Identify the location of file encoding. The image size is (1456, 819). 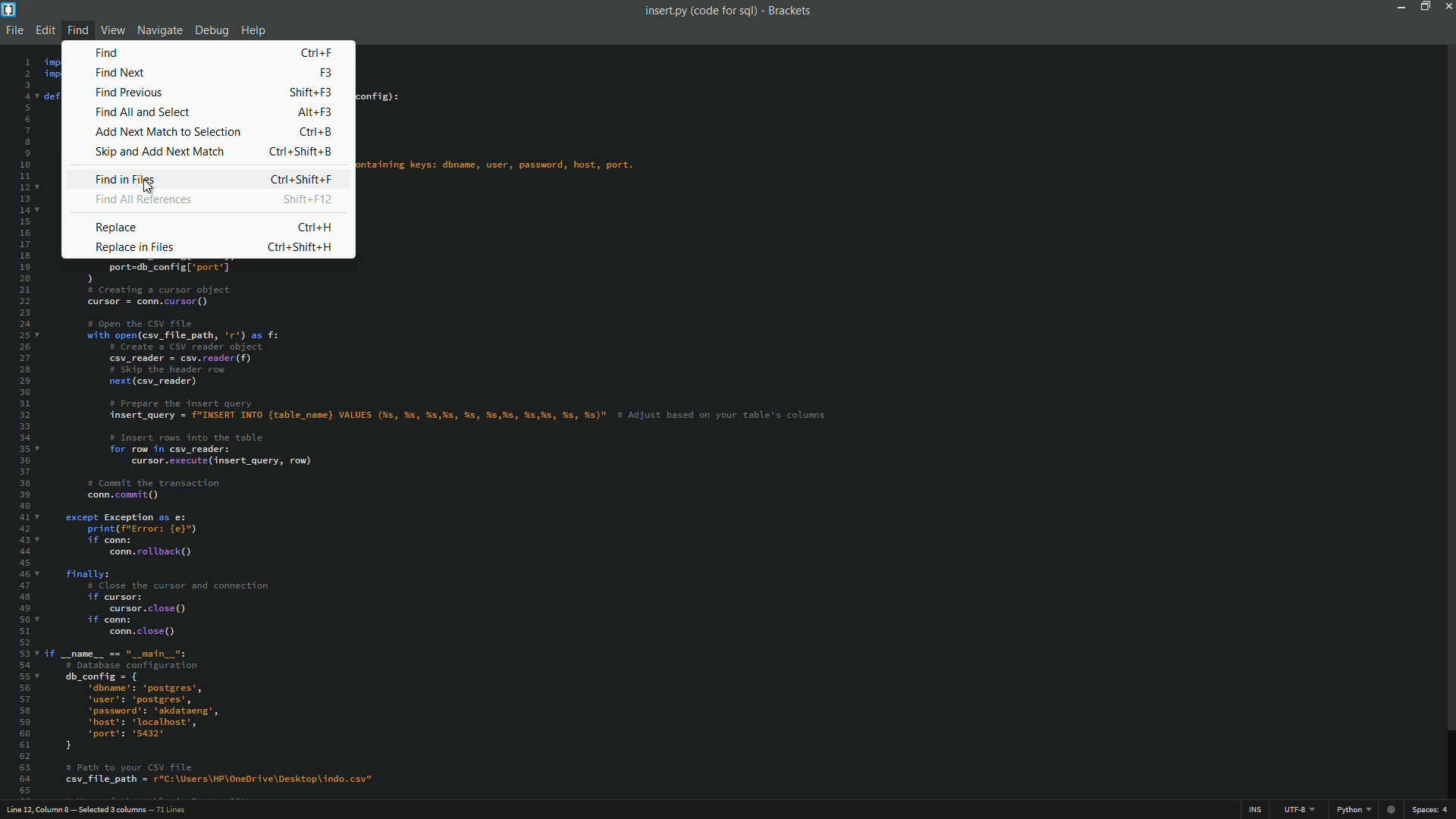
(1301, 811).